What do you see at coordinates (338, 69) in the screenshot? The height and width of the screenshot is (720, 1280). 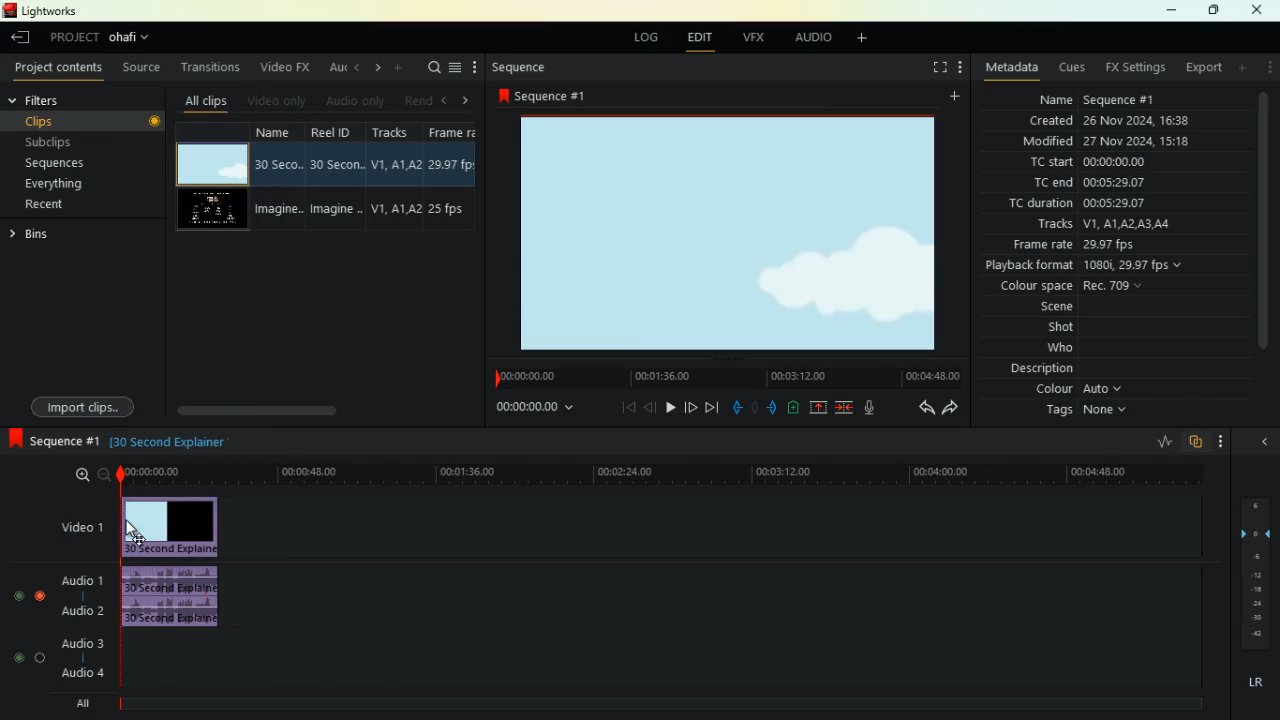 I see `au` at bounding box center [338, 69].